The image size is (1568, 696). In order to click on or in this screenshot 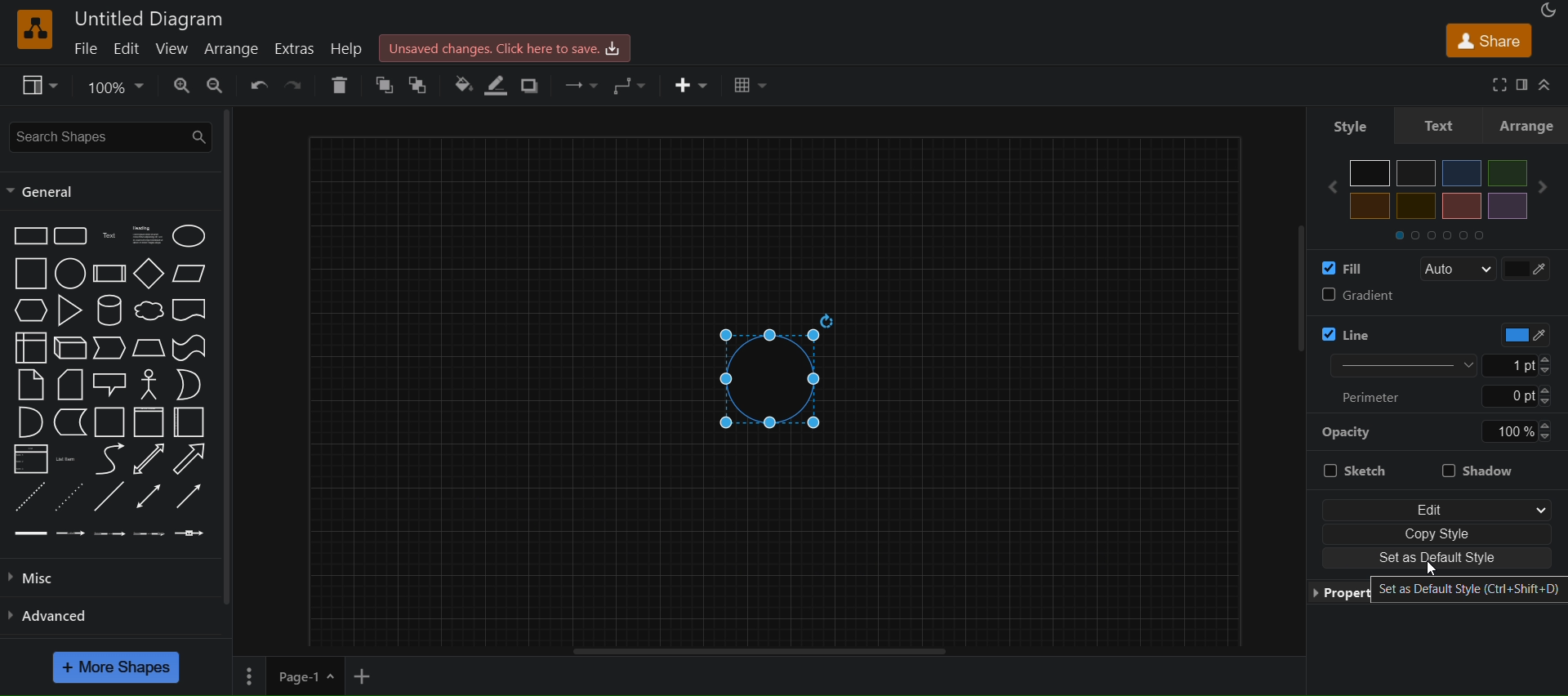, I will do `click(189, 384)`.